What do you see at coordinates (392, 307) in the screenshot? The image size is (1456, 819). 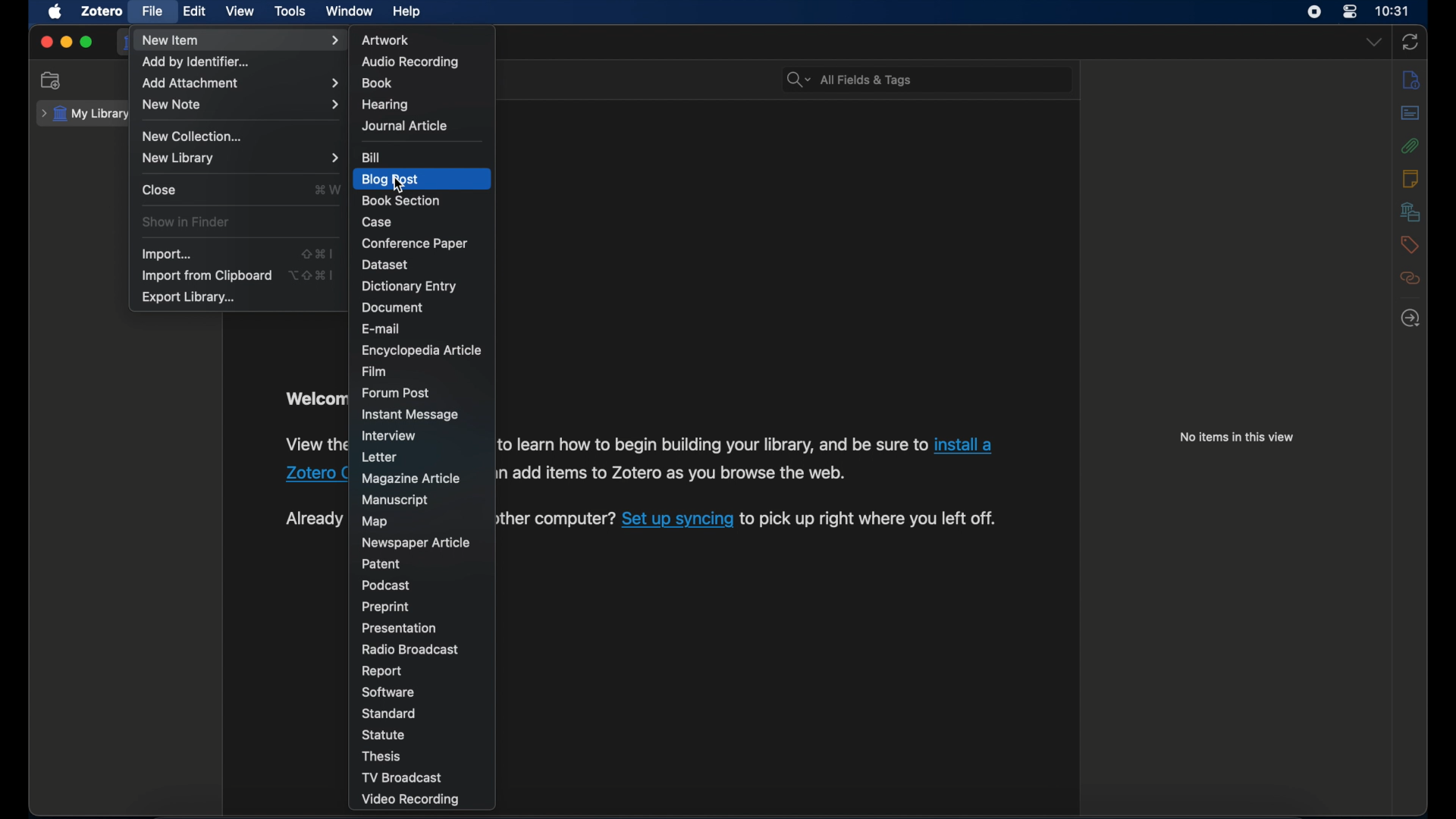 I see `document` at bounding box center [392, 307].